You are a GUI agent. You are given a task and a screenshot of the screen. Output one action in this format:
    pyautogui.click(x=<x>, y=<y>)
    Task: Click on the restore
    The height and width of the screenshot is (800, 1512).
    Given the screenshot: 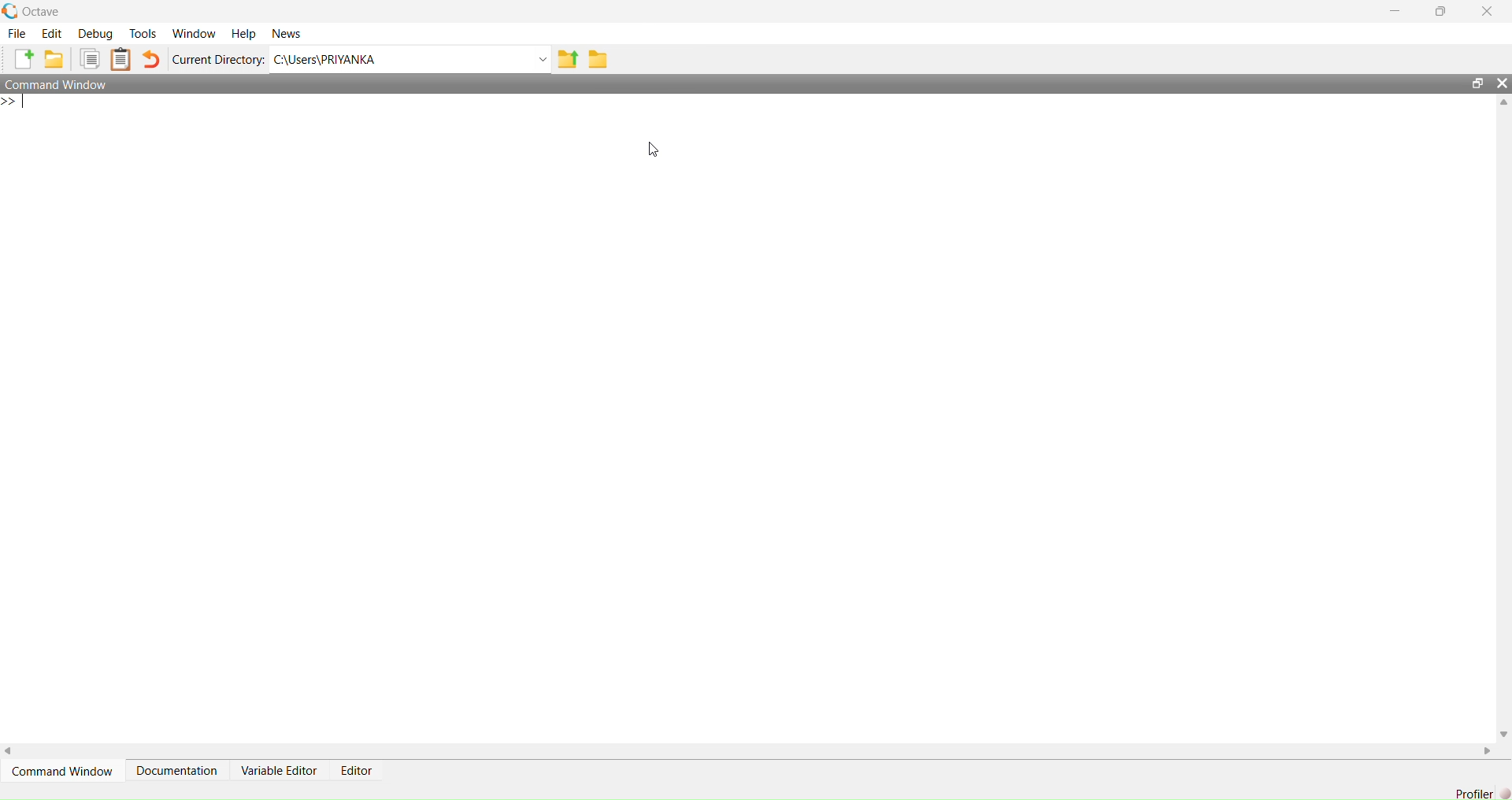 What is the action you would take?
    pyautogui.click(x=1478, y=83)
    